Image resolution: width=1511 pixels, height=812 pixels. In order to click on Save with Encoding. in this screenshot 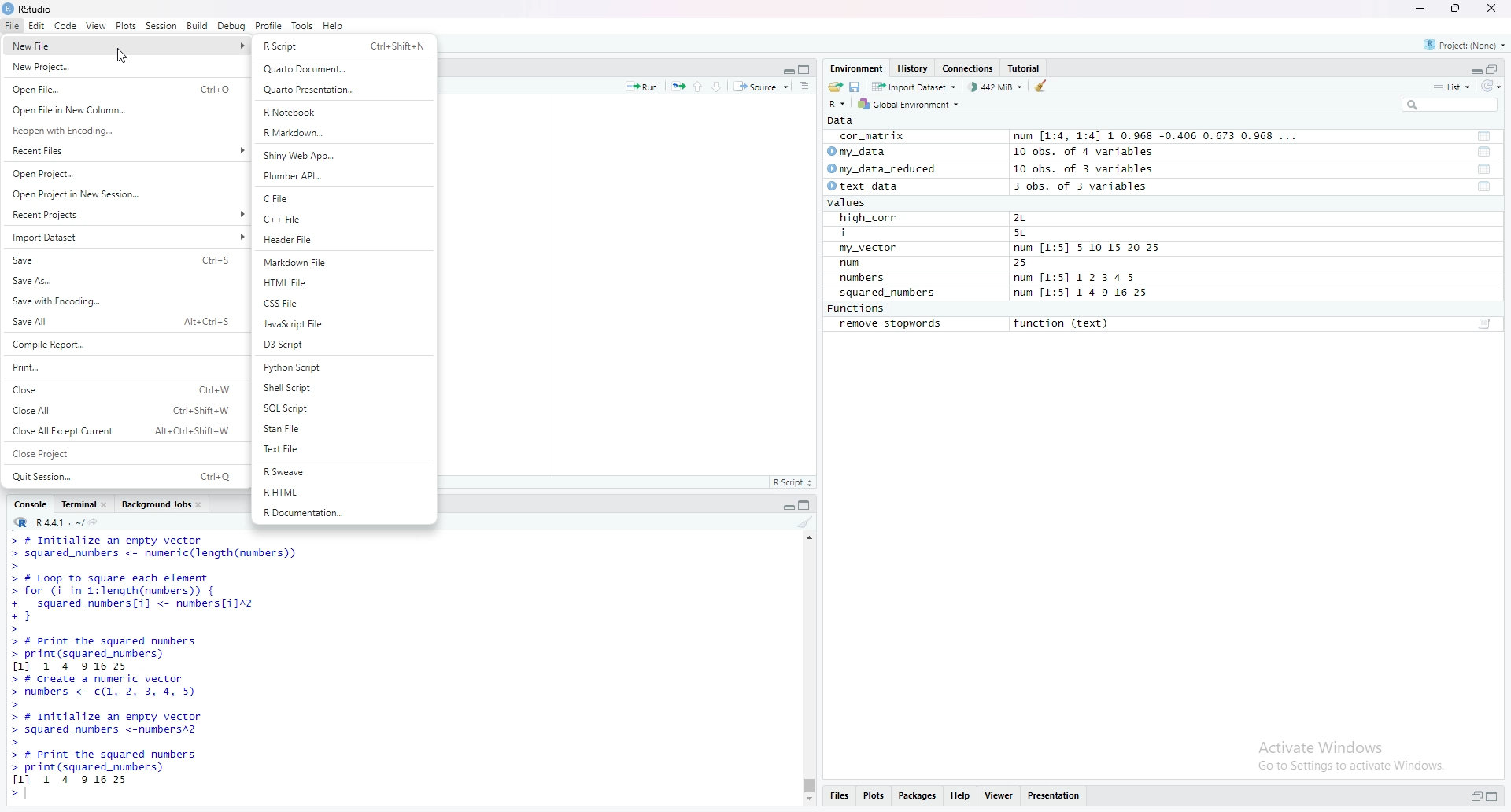, I will do `click(120, 301)`.